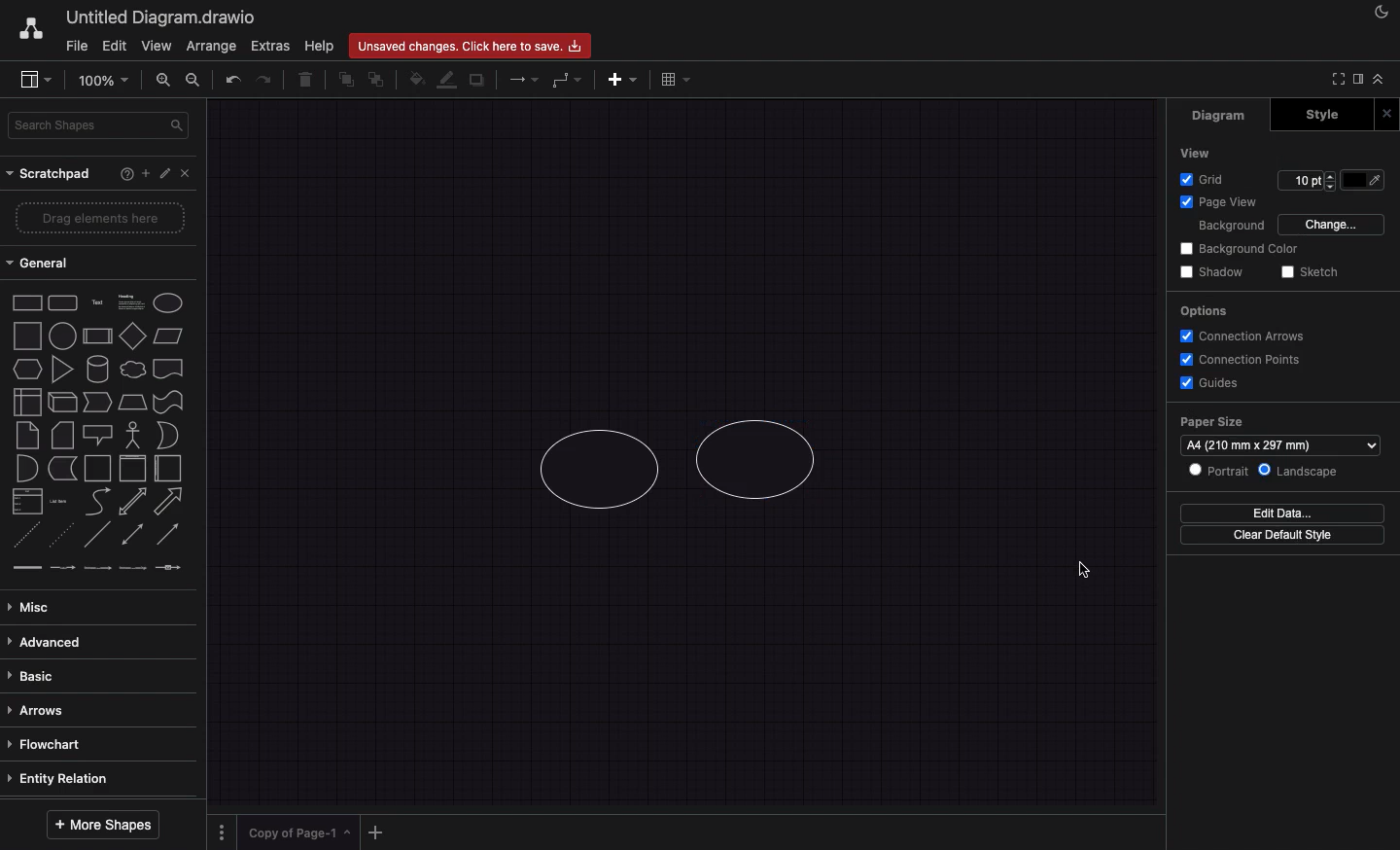 Image resolution: width=1400 pixels, height=850 pixels. I want to click on ellipse, so click(168, 303).